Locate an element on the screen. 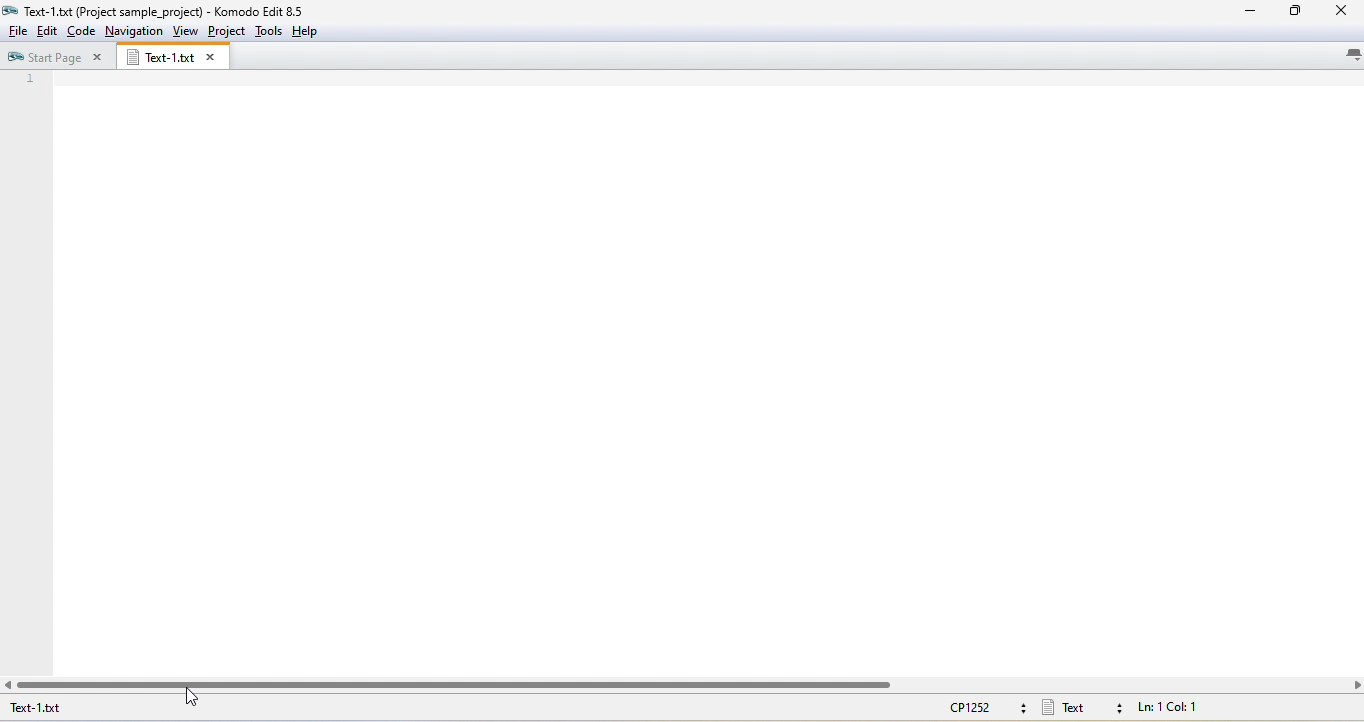 This screenshot has width=1364, height=722. scroll right is located at coordinates (1355, 683).